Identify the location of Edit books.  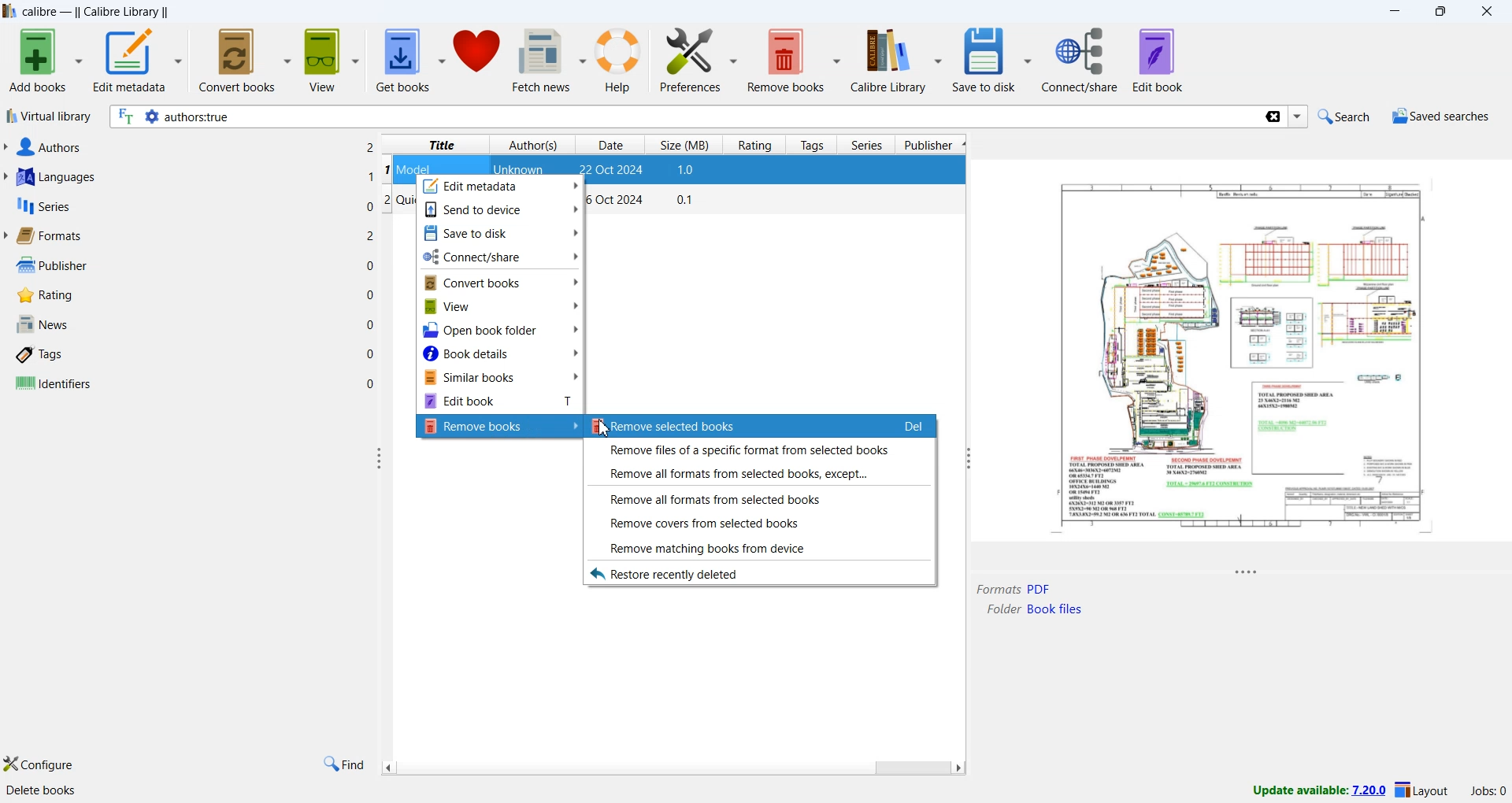
(500, 401).